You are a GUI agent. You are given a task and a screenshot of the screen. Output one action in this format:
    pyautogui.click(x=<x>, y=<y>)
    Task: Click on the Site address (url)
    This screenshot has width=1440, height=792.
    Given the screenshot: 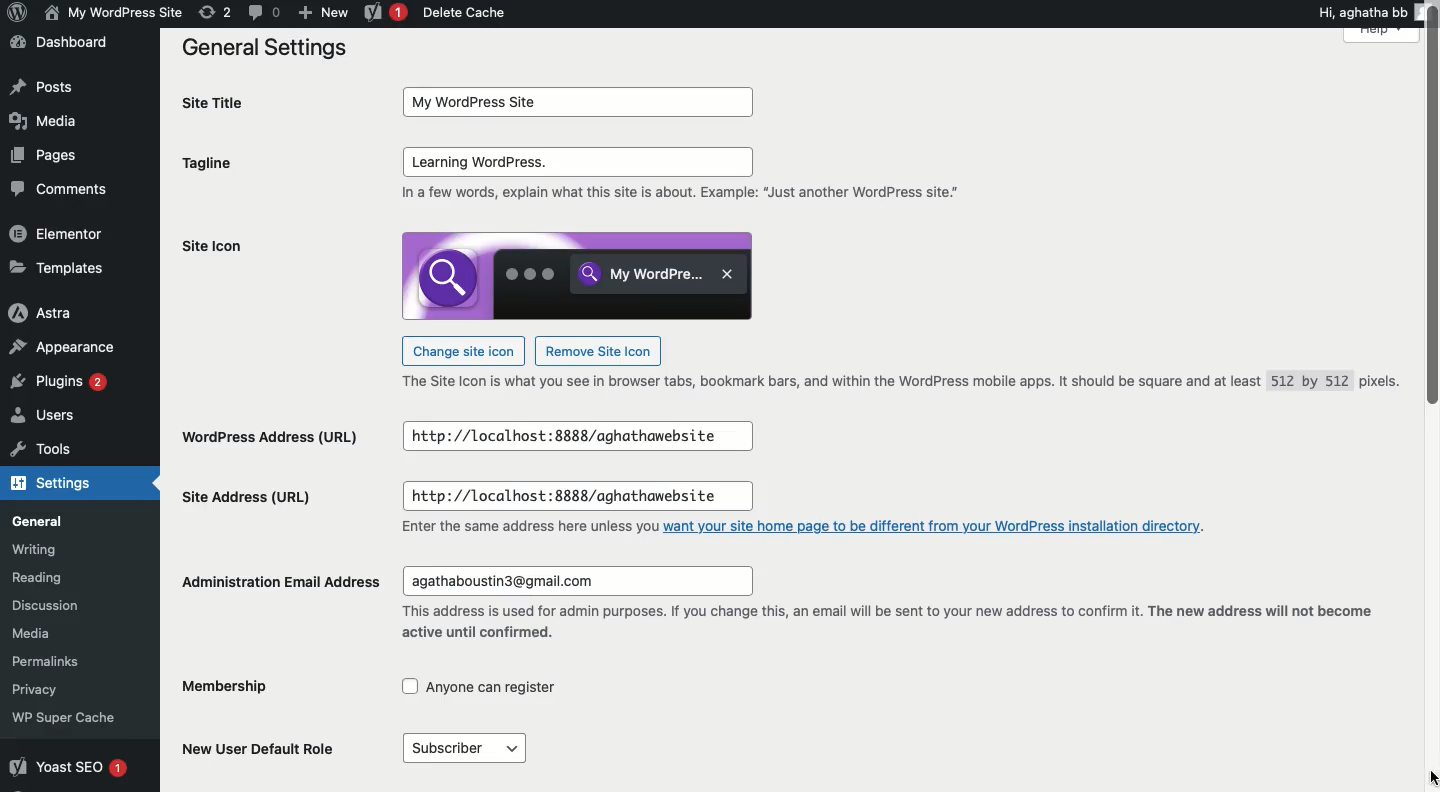 What is the action you would take?
    pyautogui.click(x=251, y=489)
    